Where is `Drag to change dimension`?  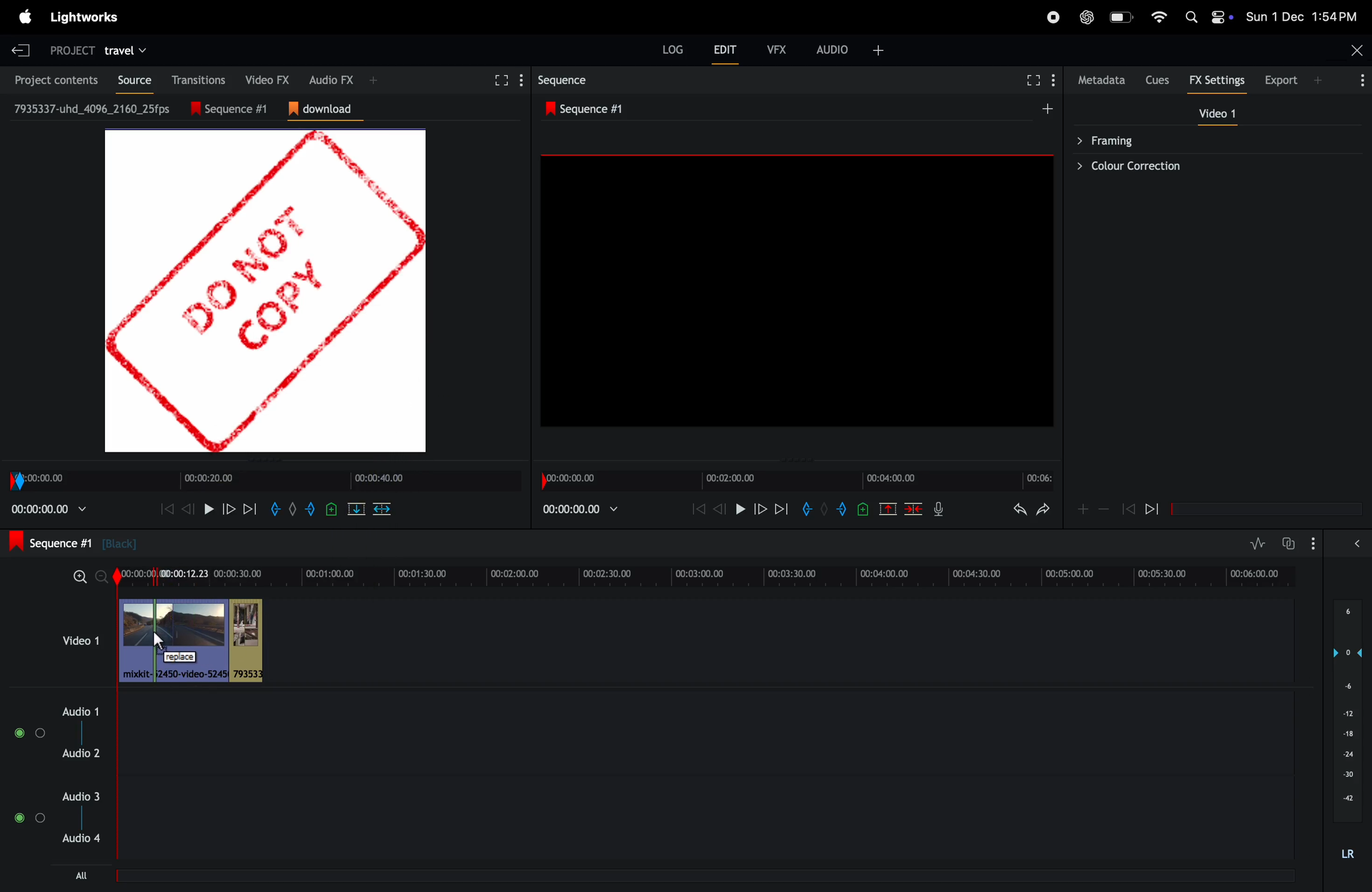 Drag to change dimension is located at coordinates (268, 460).